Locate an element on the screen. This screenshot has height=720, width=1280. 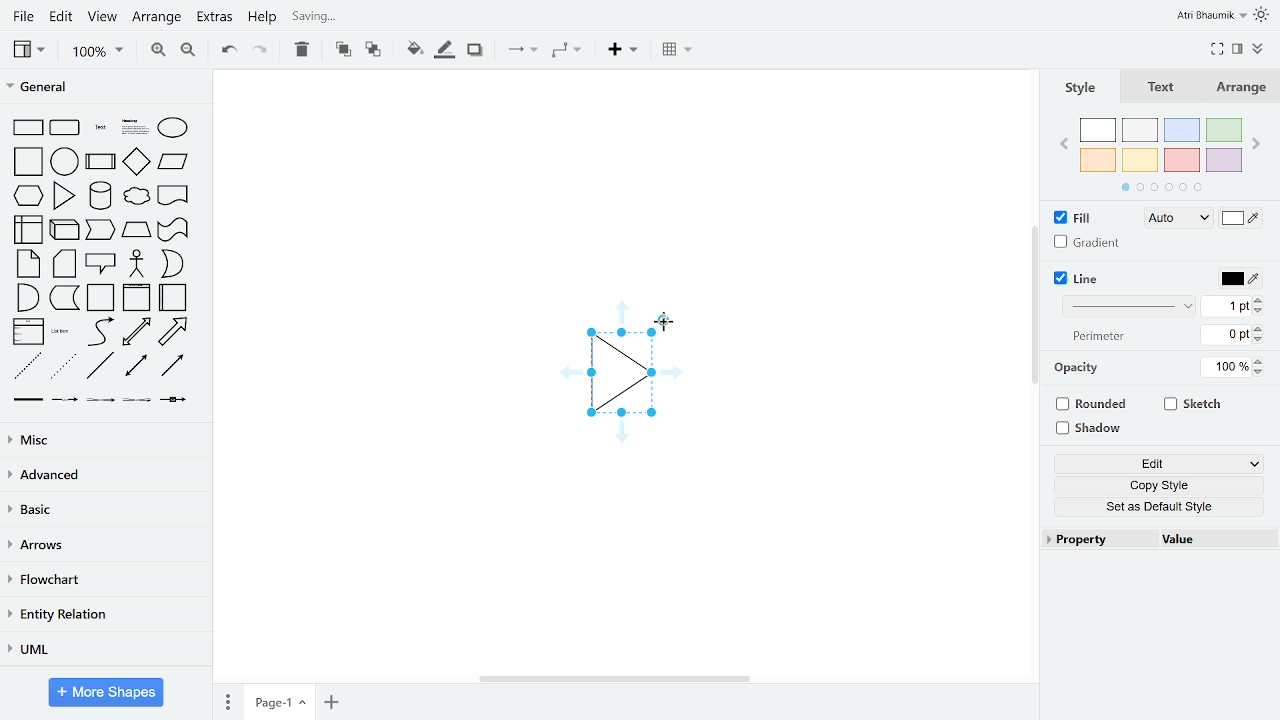
undo is located at coordinates (226, 51).